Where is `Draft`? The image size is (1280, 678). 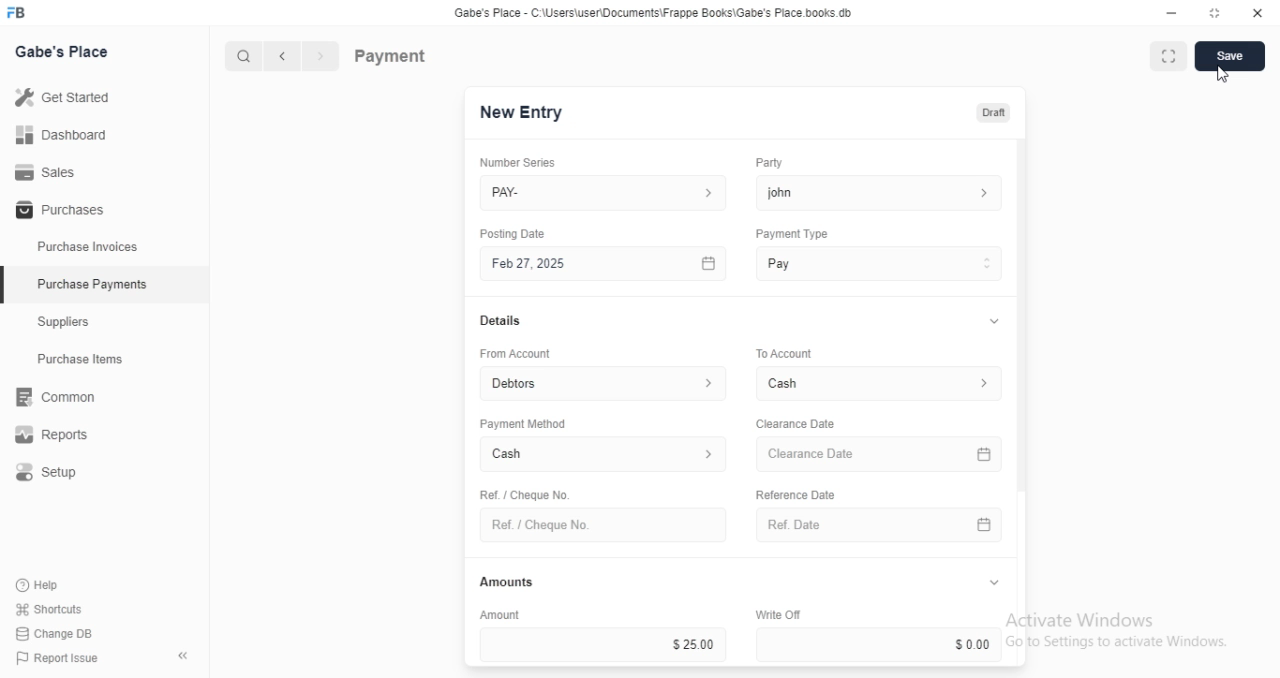
Draft is located at coordinates (990, 111).